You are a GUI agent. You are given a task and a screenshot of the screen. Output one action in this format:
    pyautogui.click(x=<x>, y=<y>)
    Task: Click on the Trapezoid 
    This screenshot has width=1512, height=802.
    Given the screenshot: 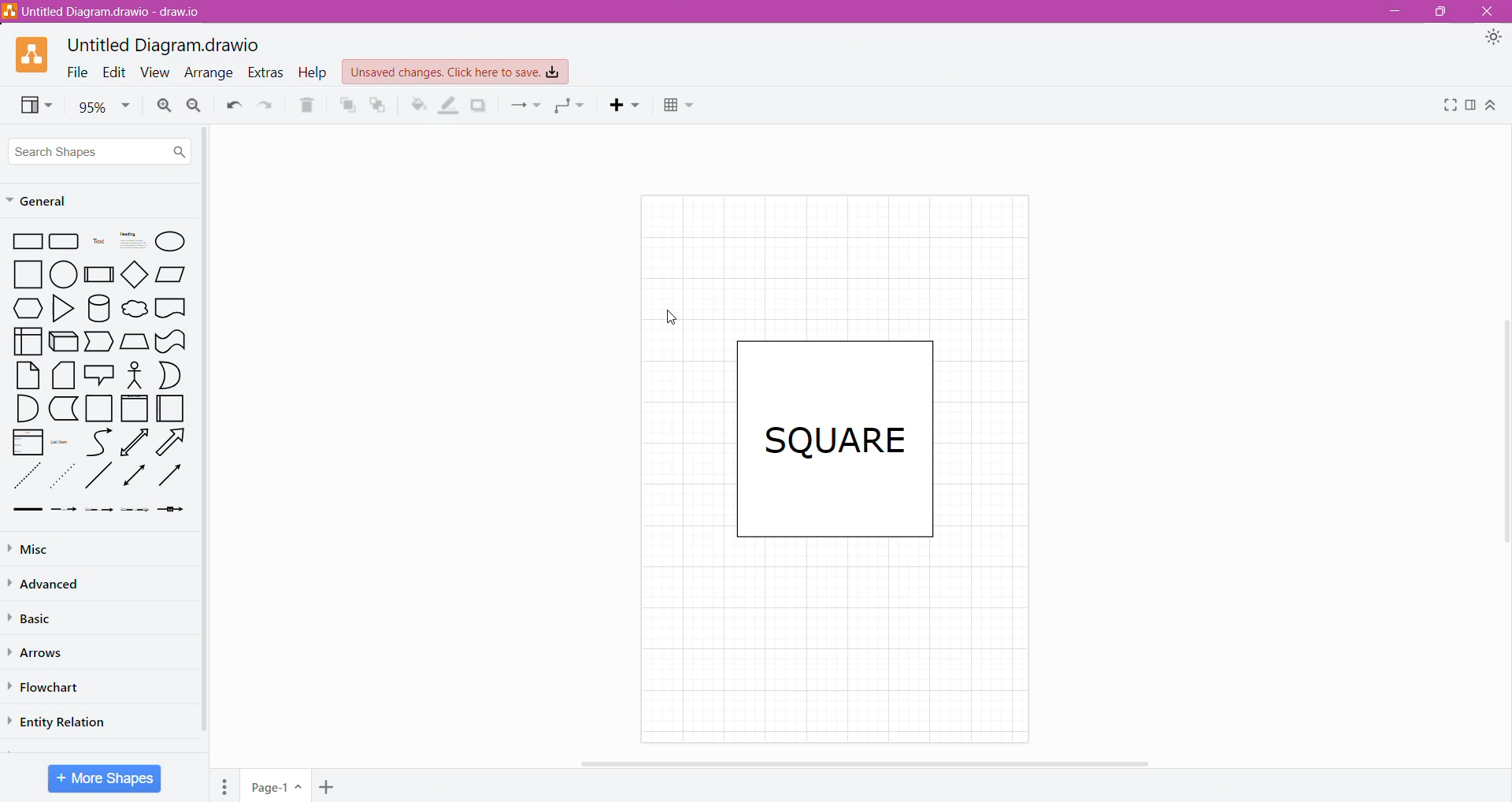 What is the action you would take?
    pyautogui.click(x=100, y=342)
    